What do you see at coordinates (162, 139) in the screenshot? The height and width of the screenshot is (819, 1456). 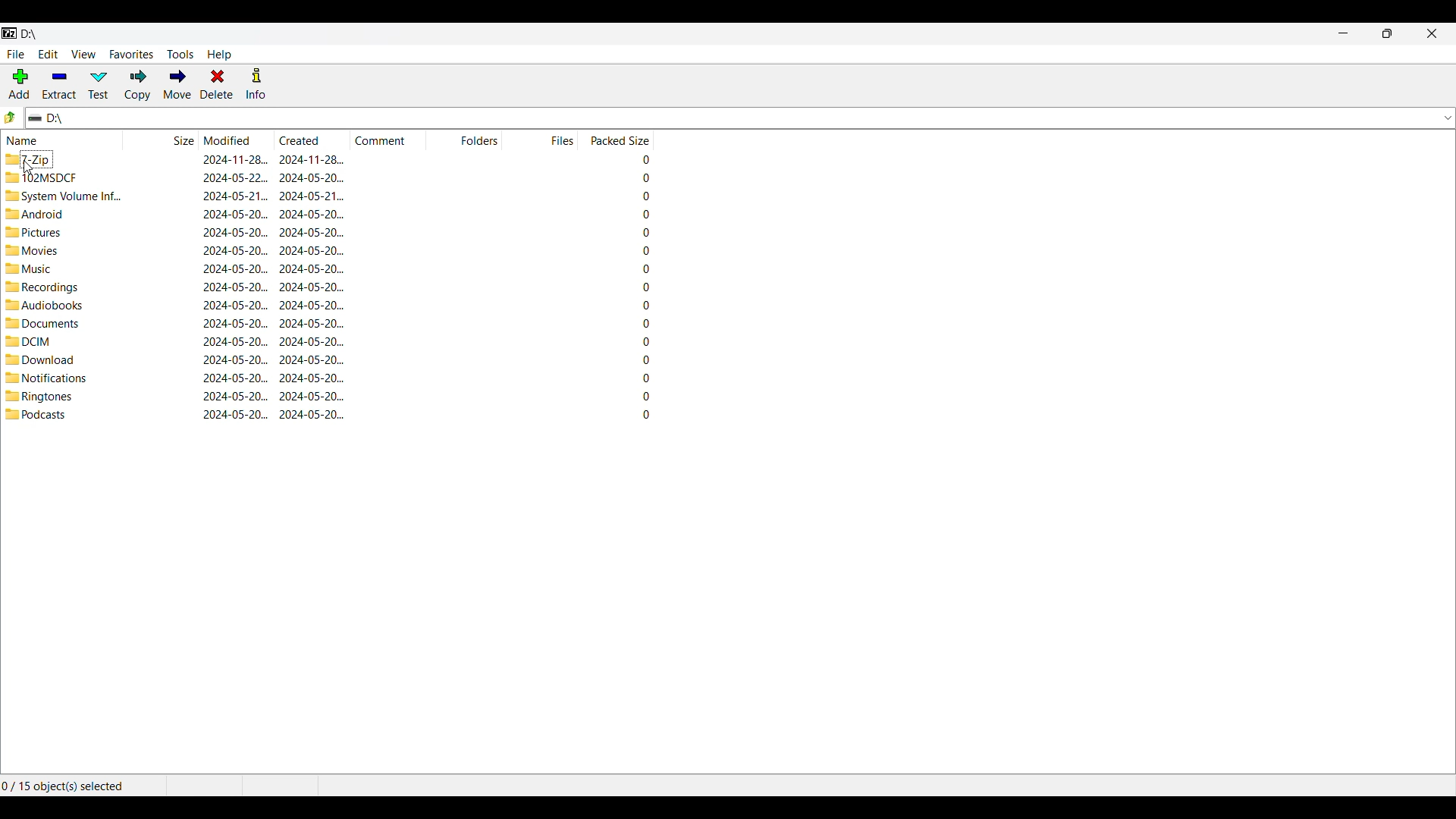 I see `Size column` at bounding box center [162, 139].